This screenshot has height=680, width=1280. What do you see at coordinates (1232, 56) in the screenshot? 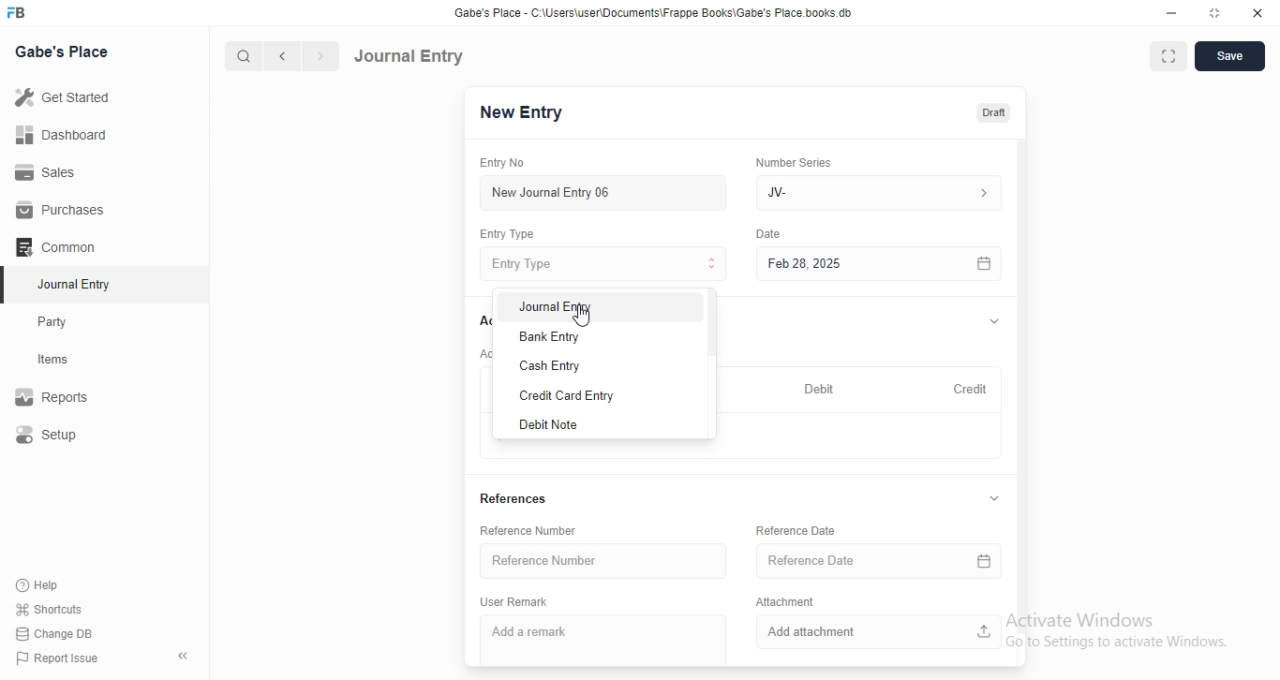
I see `save` at bounding box center [1232, 56].